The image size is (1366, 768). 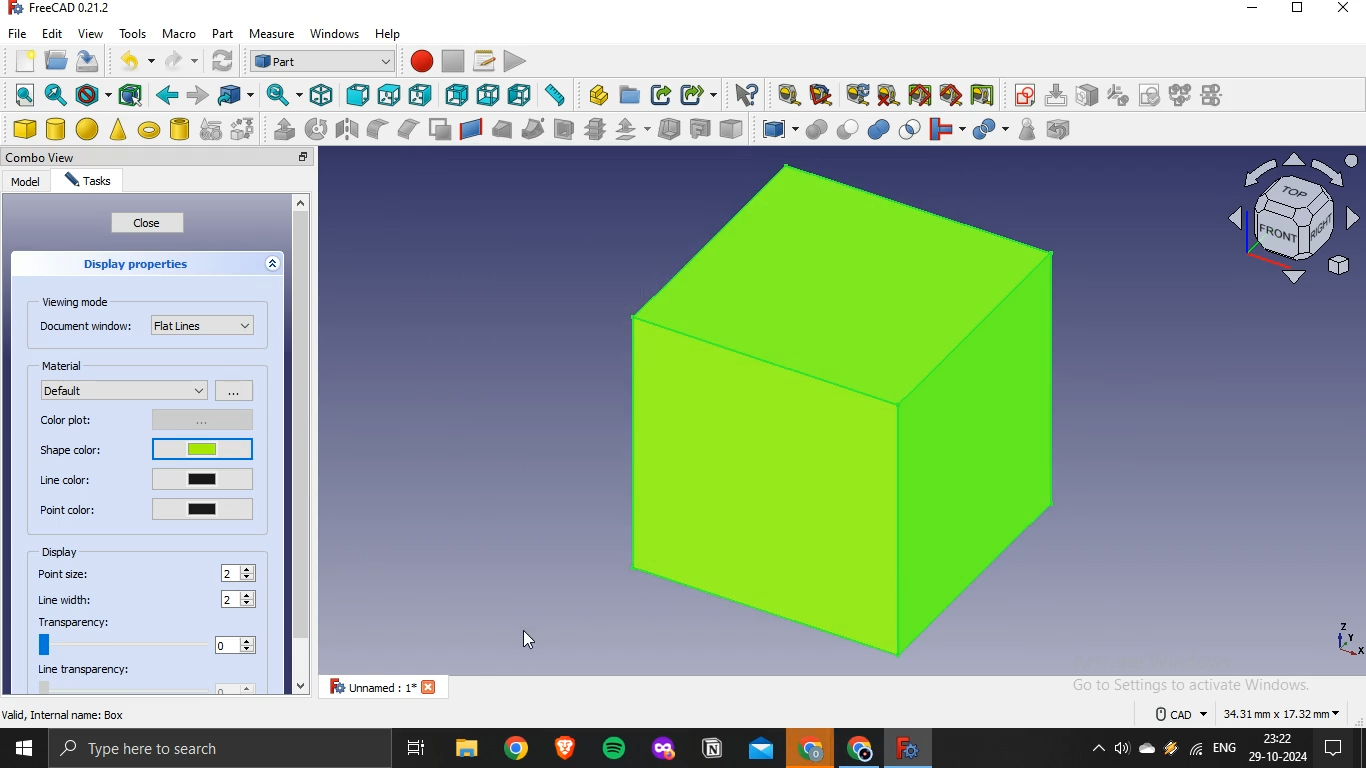 I want to click on start macro recording, so click(x=421, y=60).